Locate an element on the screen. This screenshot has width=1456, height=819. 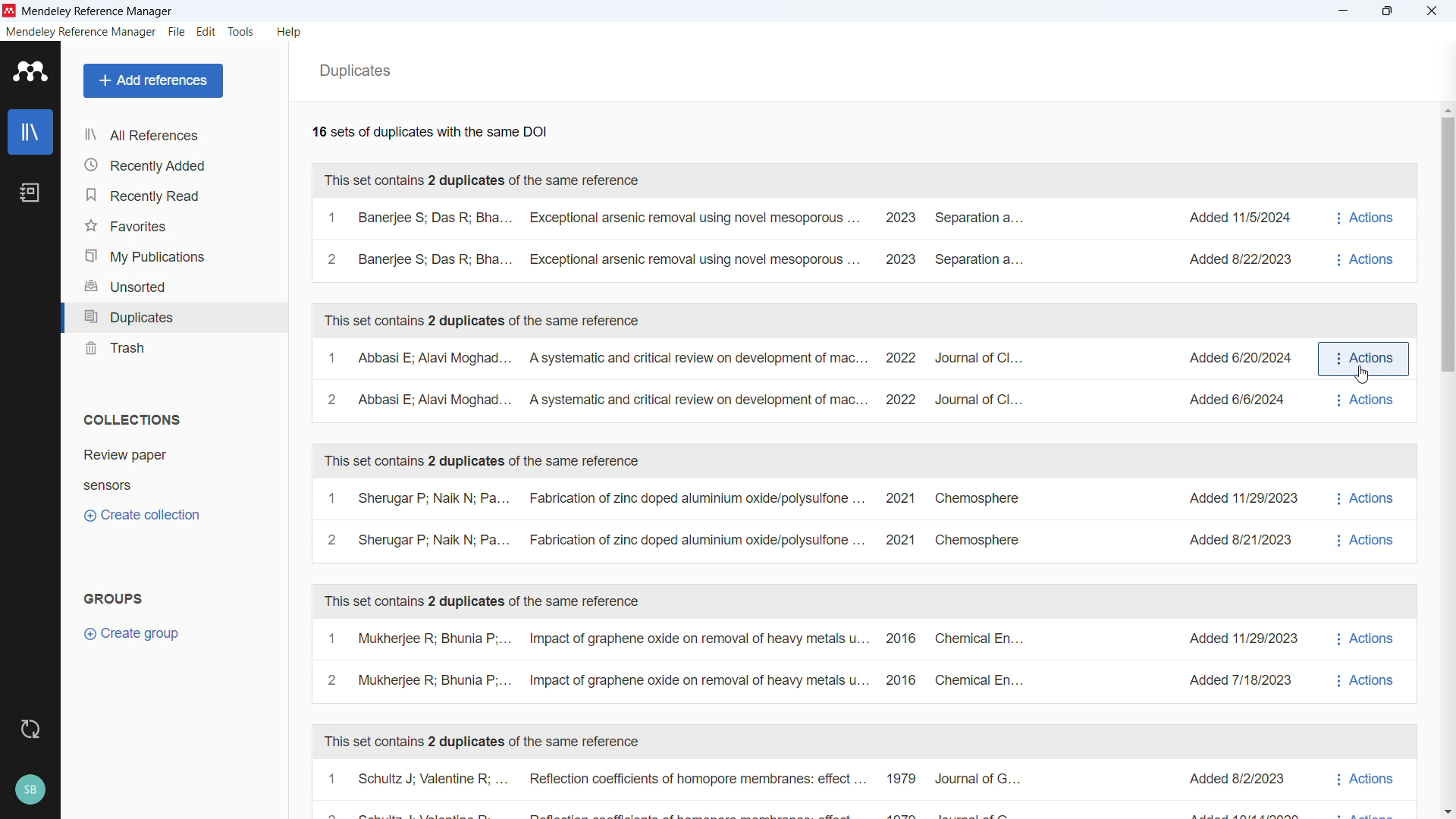
A set of duplicates  is located at coordinates (814, 521).